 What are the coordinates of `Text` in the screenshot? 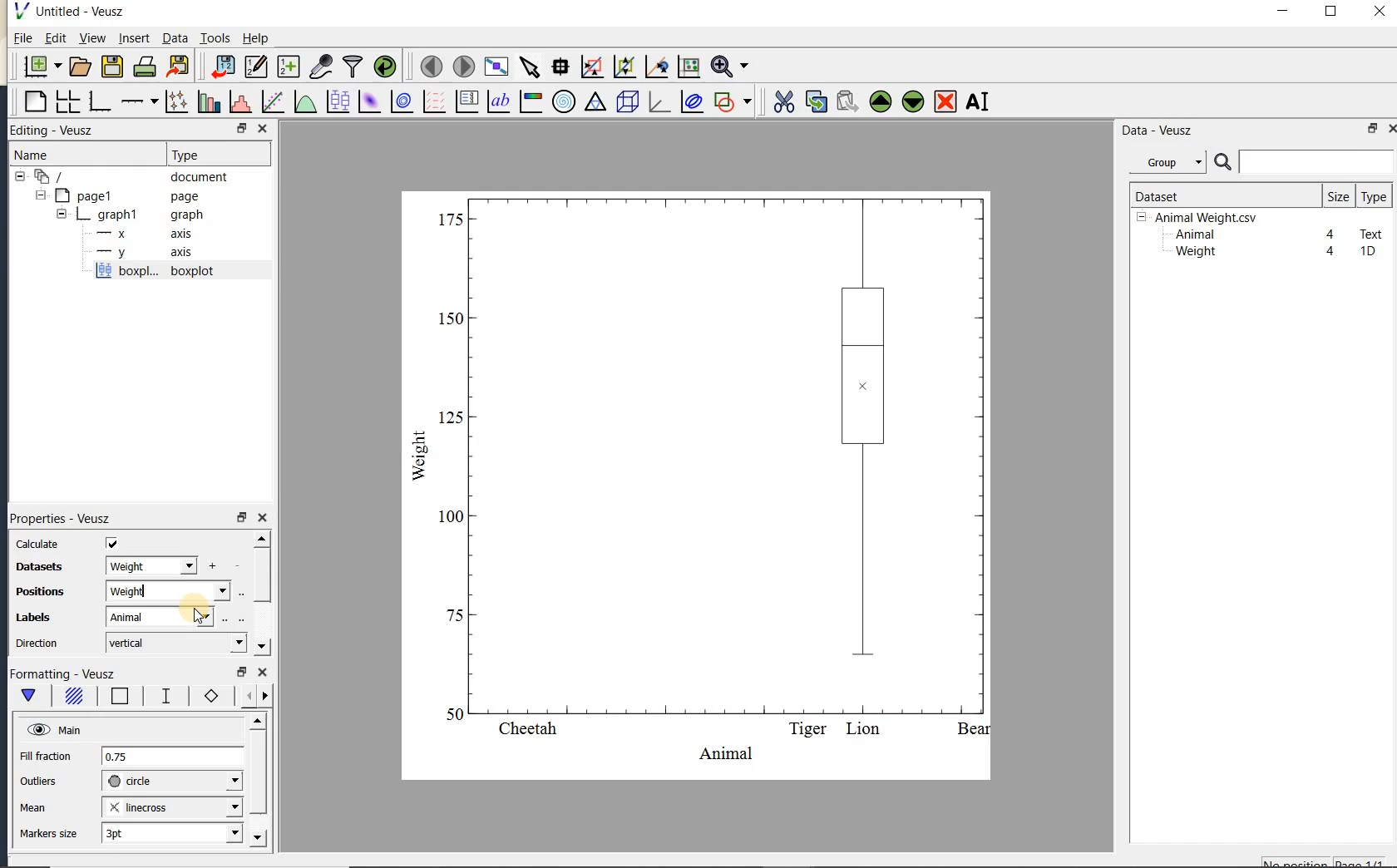 It's located at (1372, 232).